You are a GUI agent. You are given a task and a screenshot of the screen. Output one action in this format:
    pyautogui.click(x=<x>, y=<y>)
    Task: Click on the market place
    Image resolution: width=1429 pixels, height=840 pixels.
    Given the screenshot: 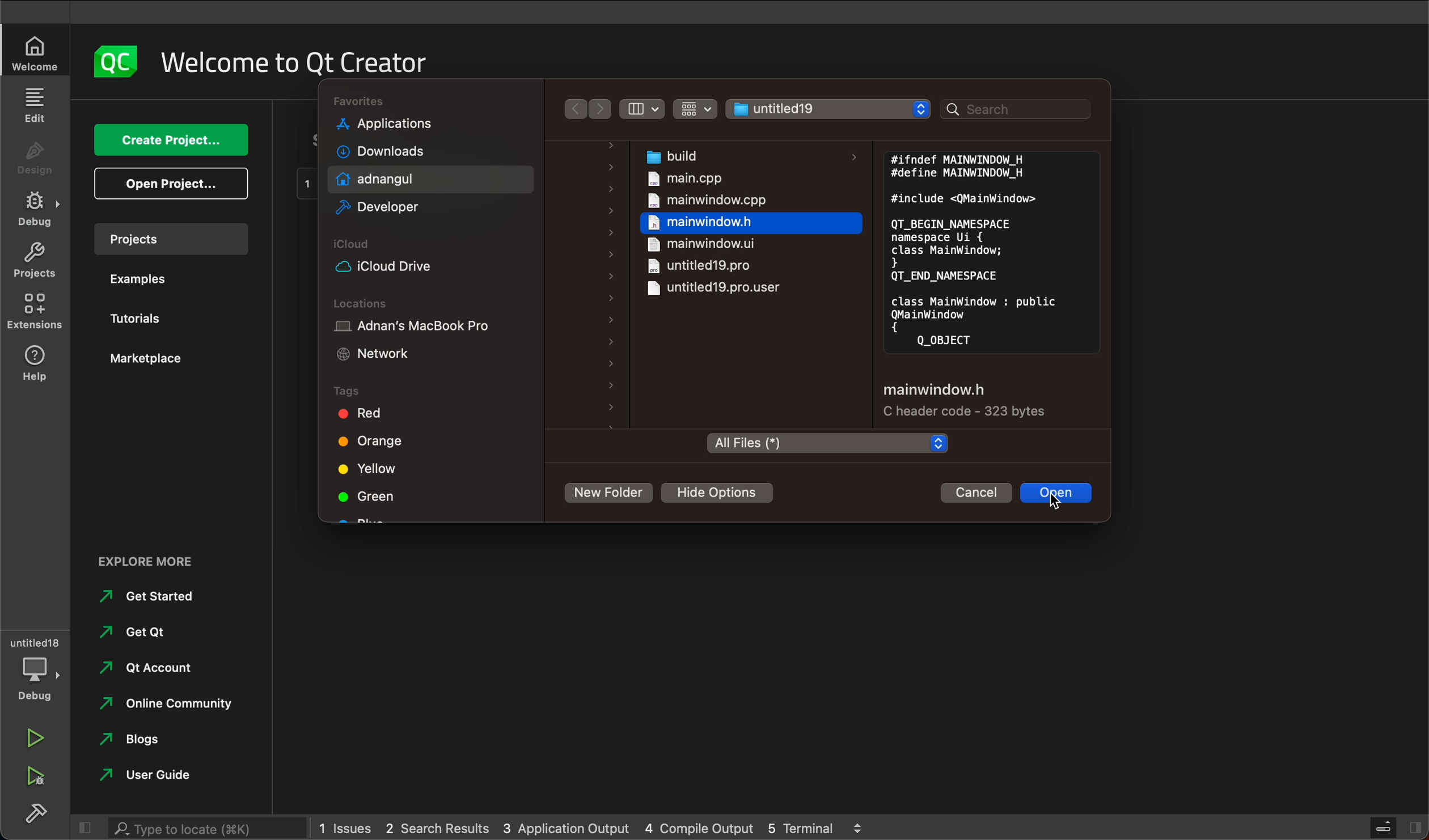 What is the action you would take?
    pyautogui.click(x=147, y=357)
    